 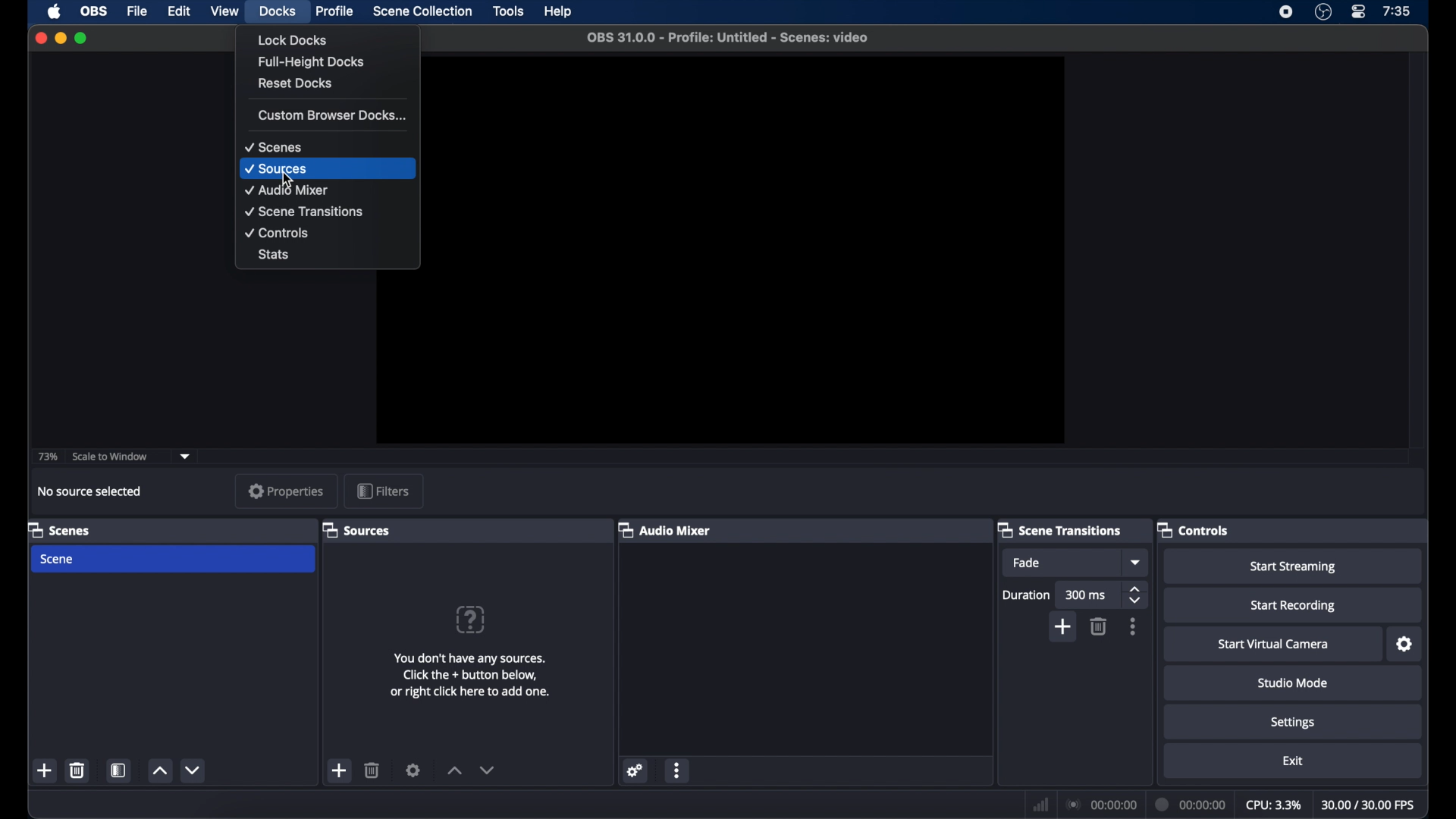 What do you see at coordinates (470, 675) in the screenshot?
I see `add sources information` at bounding box center [470, 675].